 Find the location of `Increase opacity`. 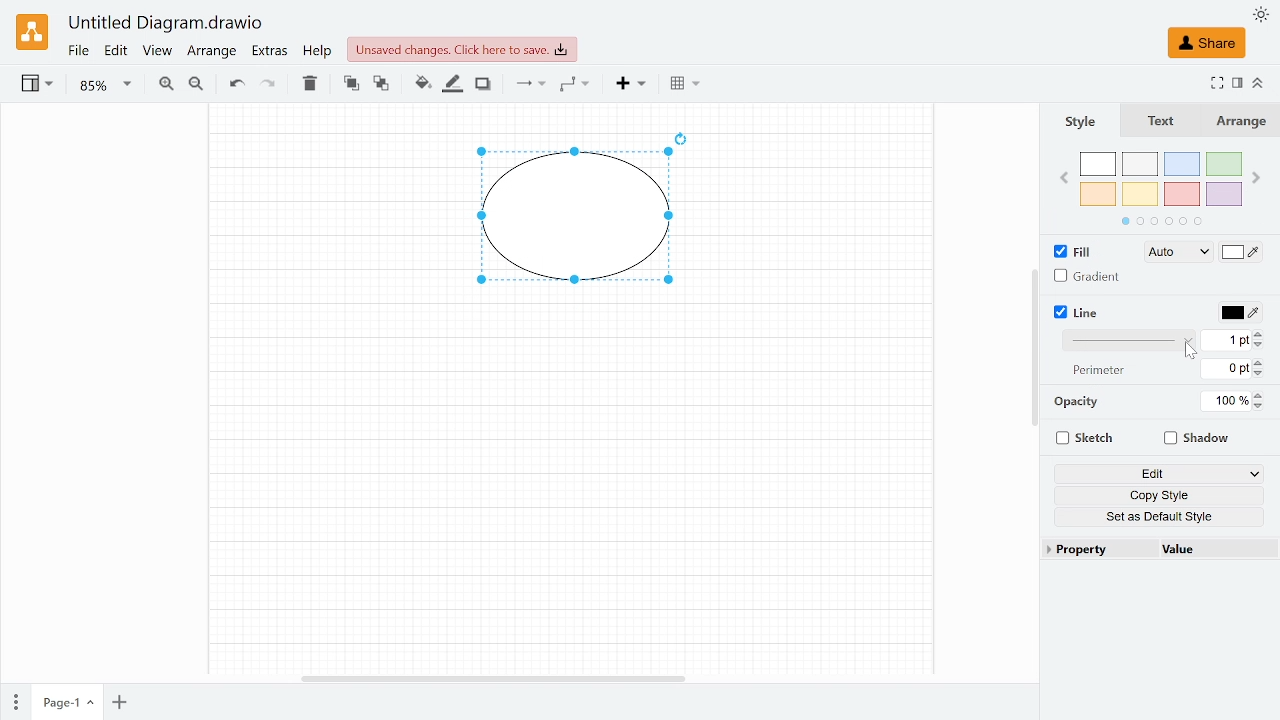

Increase opacity is located at coordinates (1259, 395).